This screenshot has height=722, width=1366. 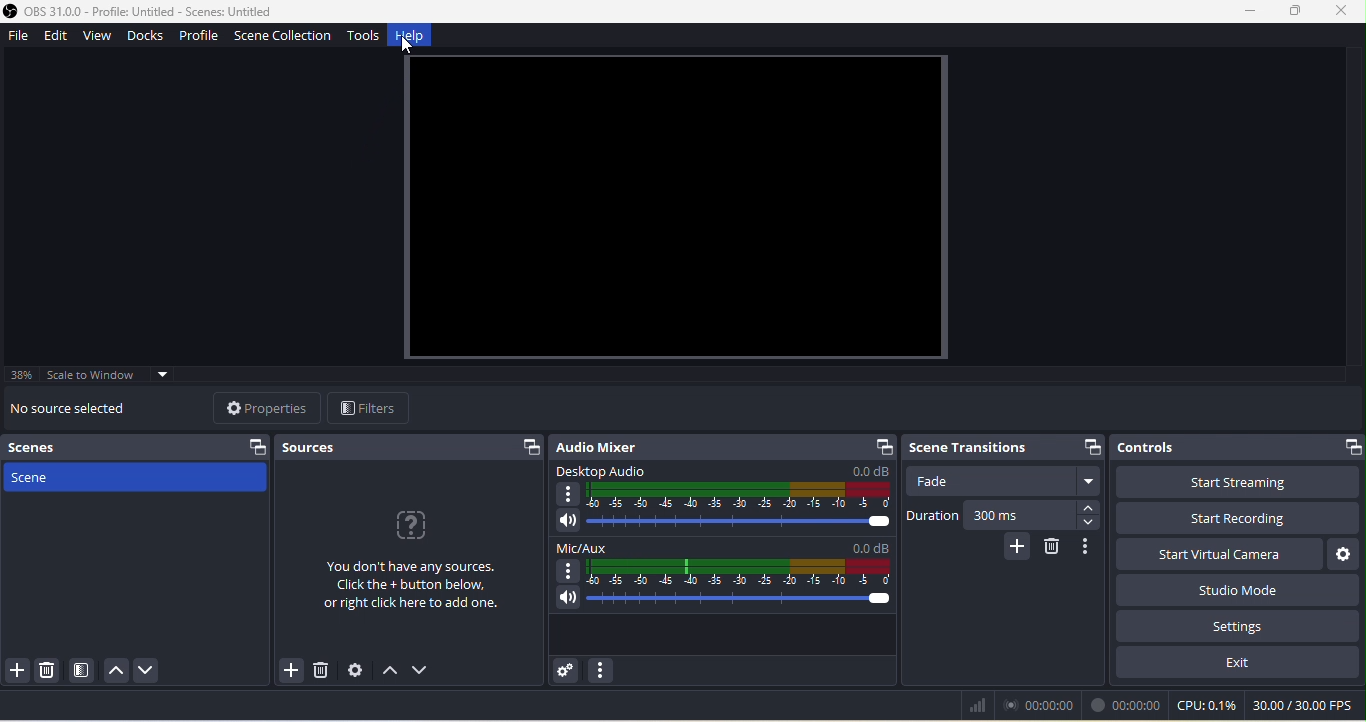 What do you see at coordinates (417, 54) in the screenshot?
I see `cursor` at bounding box center [417, 54].